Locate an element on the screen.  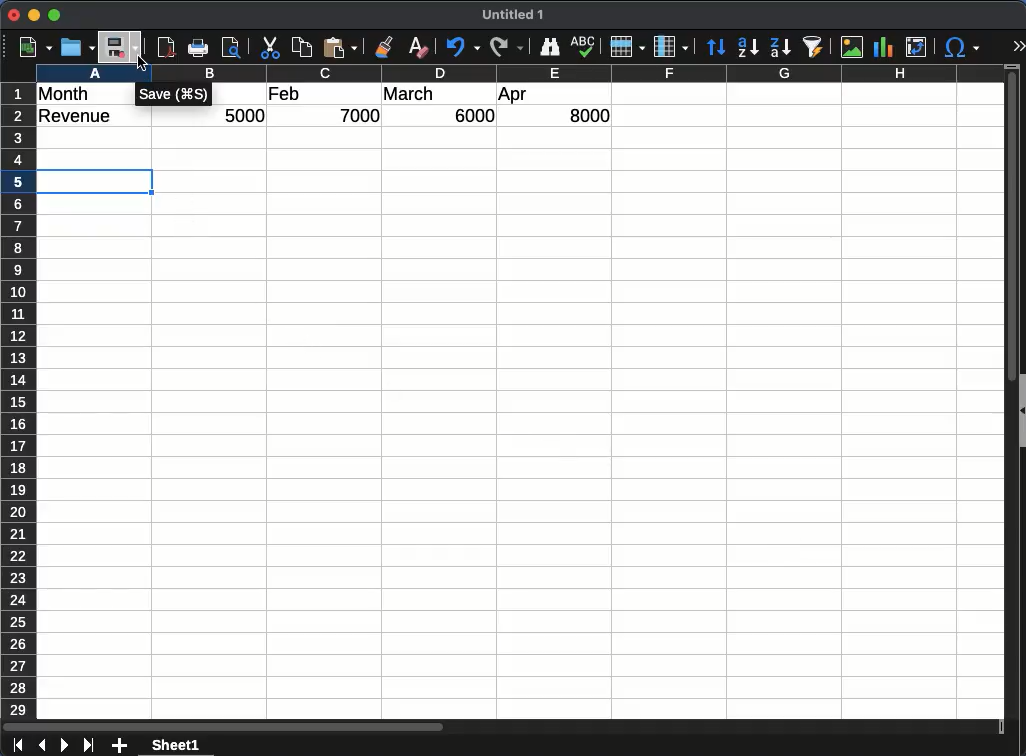
selection is located at coordinates (101, 179).